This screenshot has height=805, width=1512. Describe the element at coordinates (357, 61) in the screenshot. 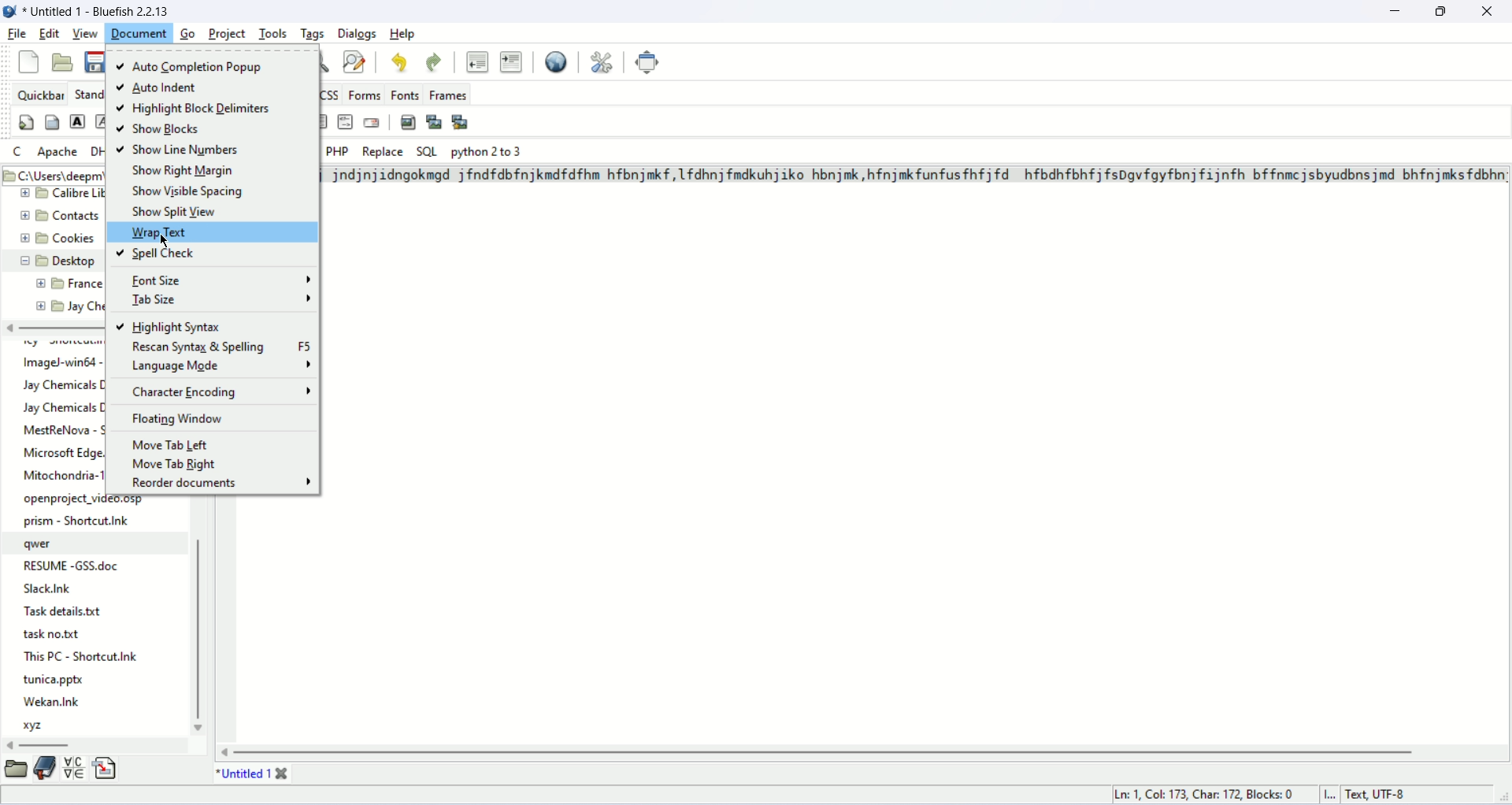

I see `advanced find and replace` at that location.